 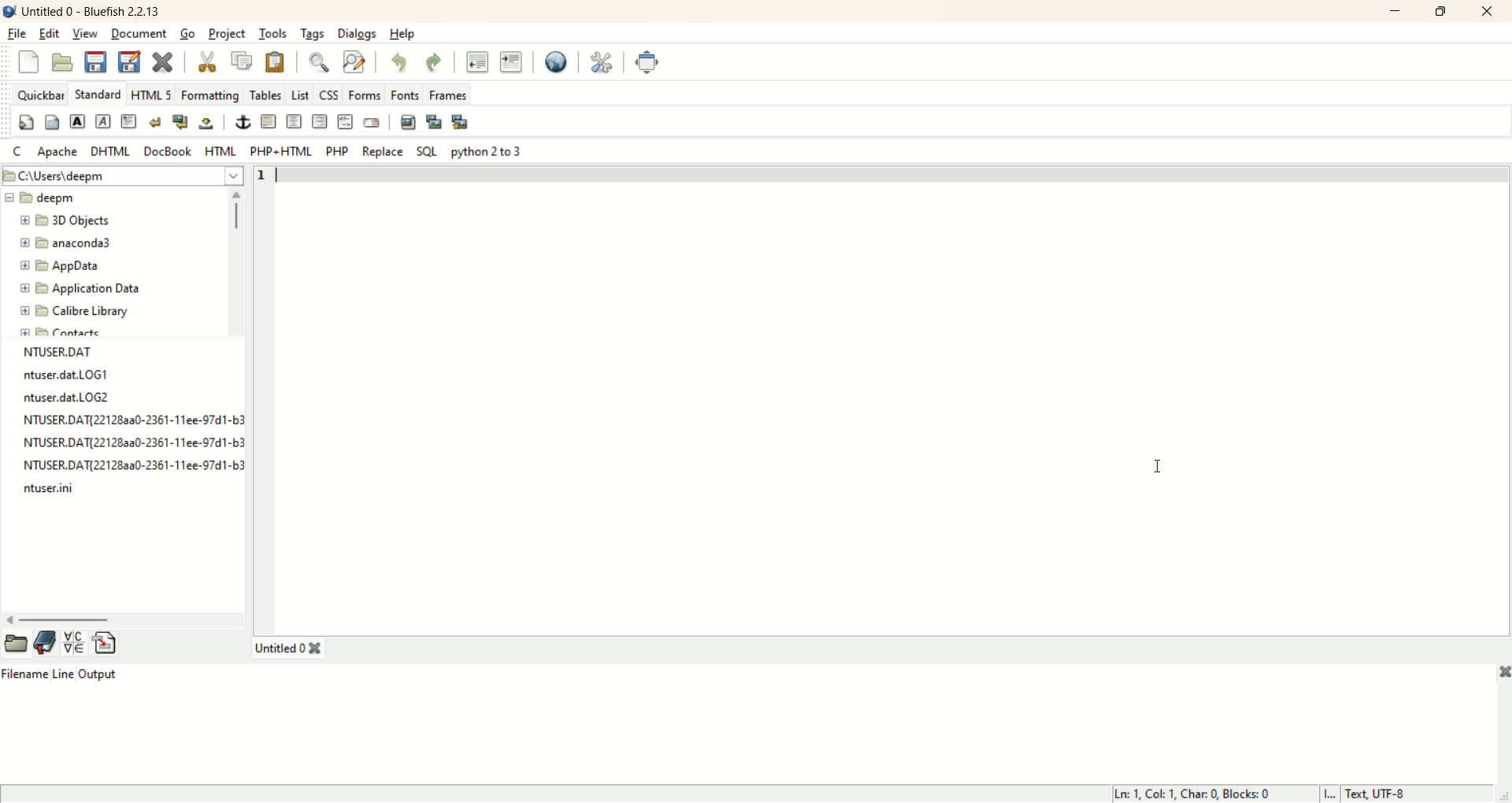 I want to click on fonts, so click(x=404, y=94).